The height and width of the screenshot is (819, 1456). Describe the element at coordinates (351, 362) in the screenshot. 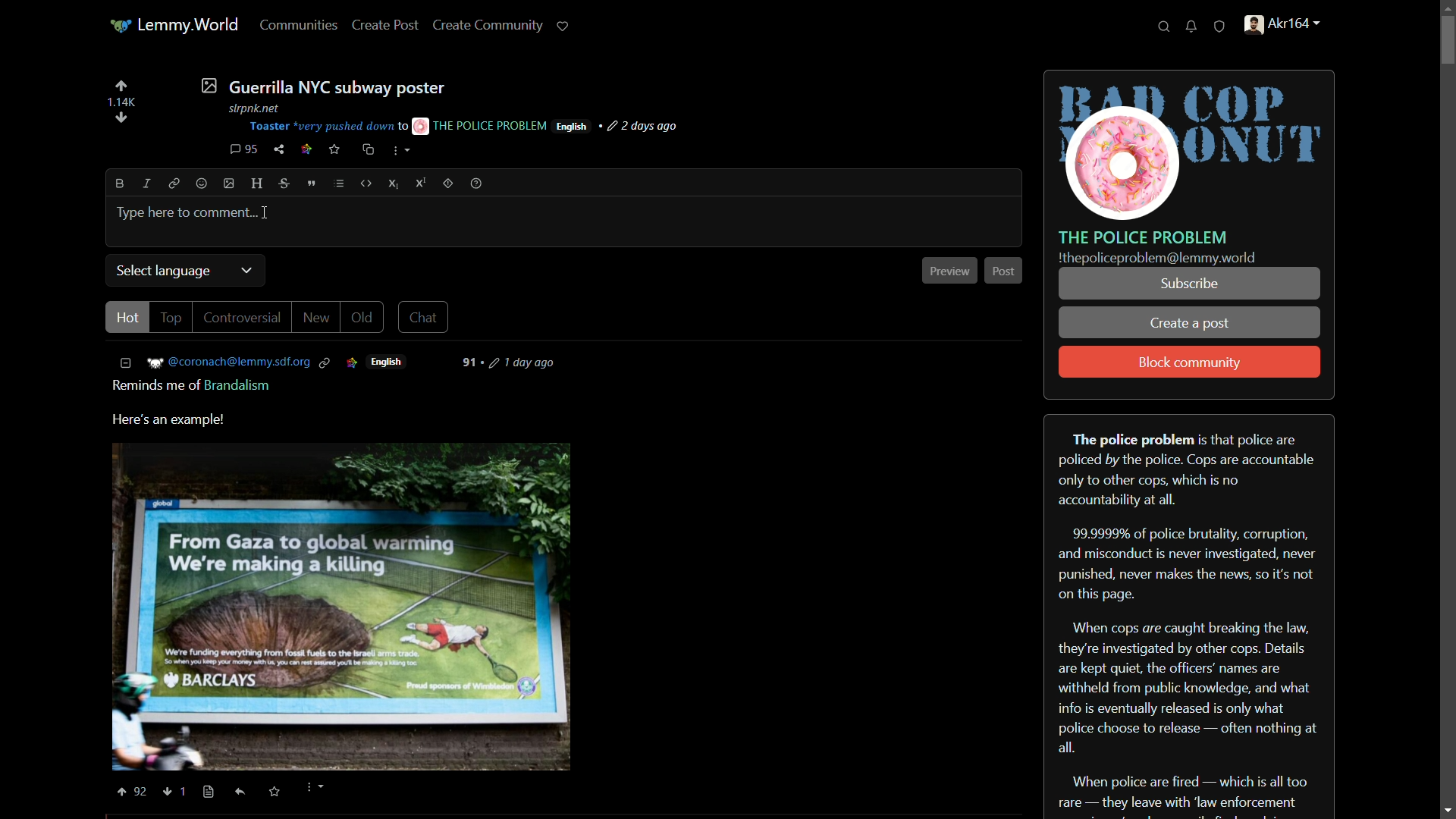

I see `link` at that location.